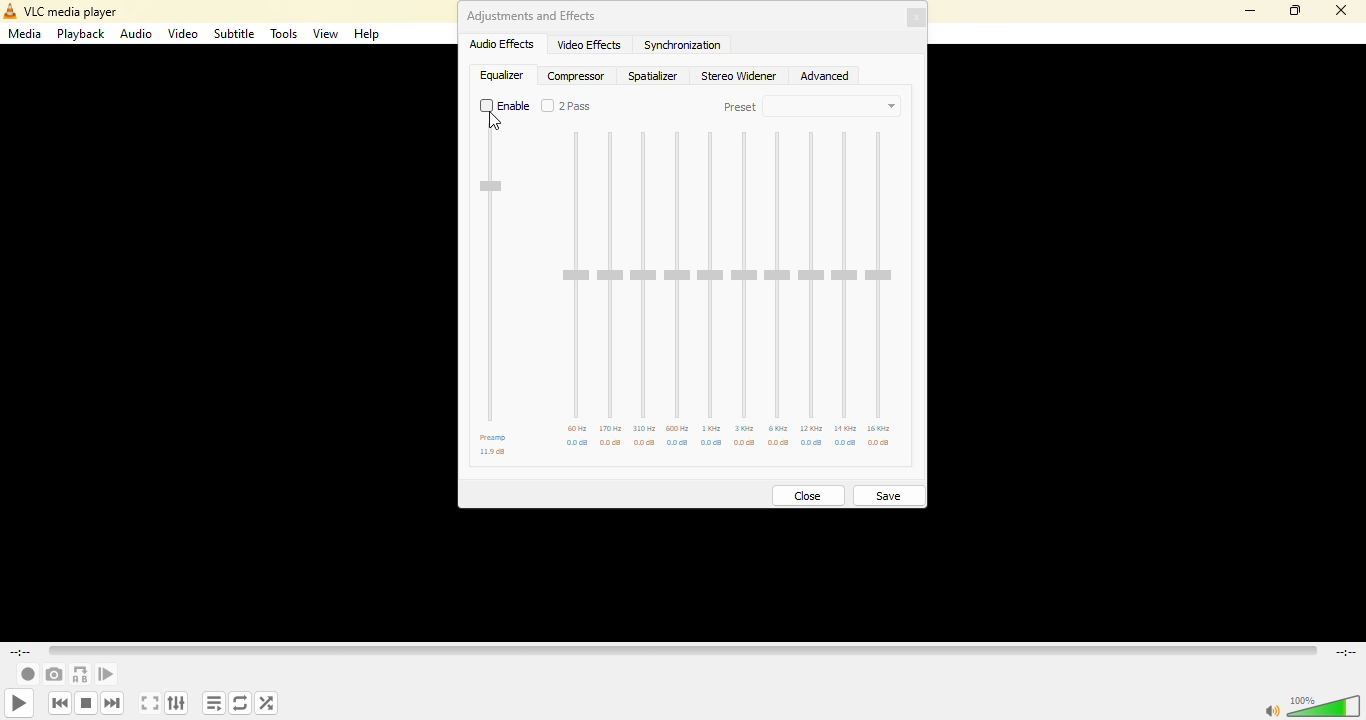  What do you see at coordinates (79, 673) in the screenshot?
I see `loop from point a to point b continuously` at bounding box center [79, 673].